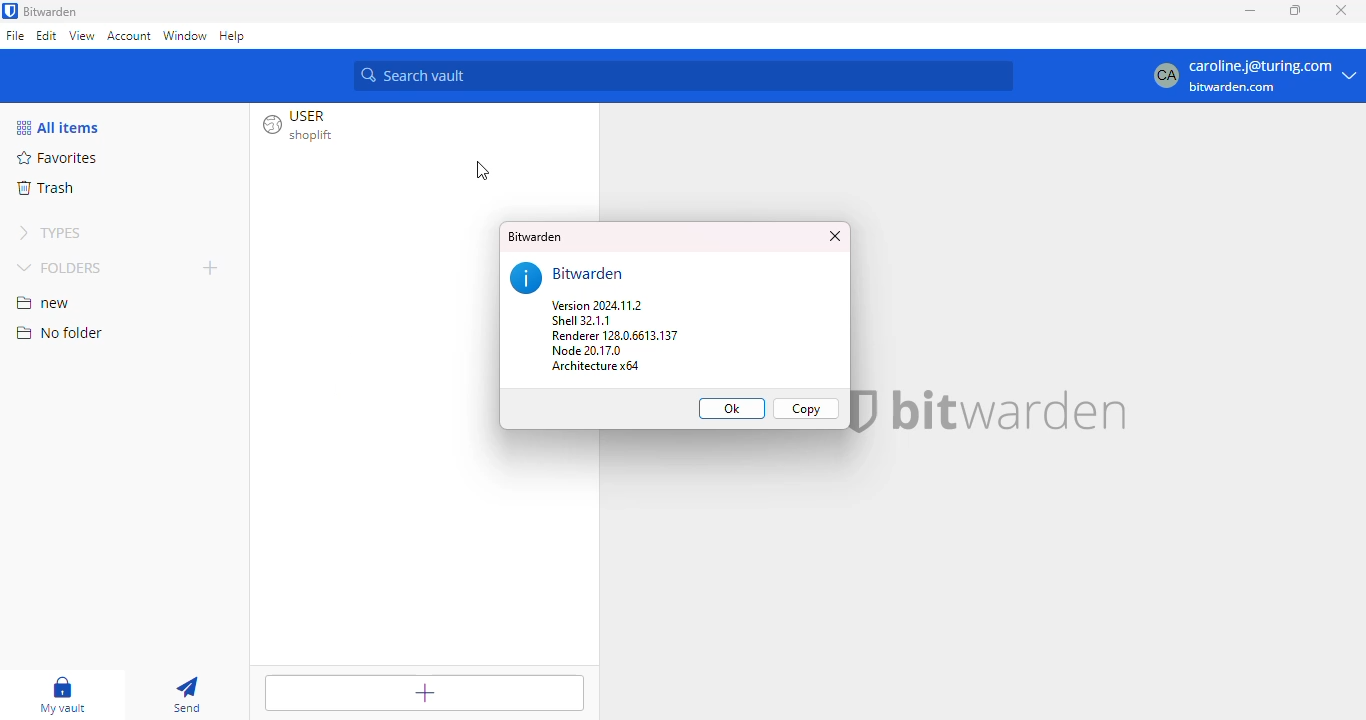 The height and width of the screenshot is (720, 1366). Describe the element at coordinates (478, 172) in the screenshot. I see `cursor` at that location.